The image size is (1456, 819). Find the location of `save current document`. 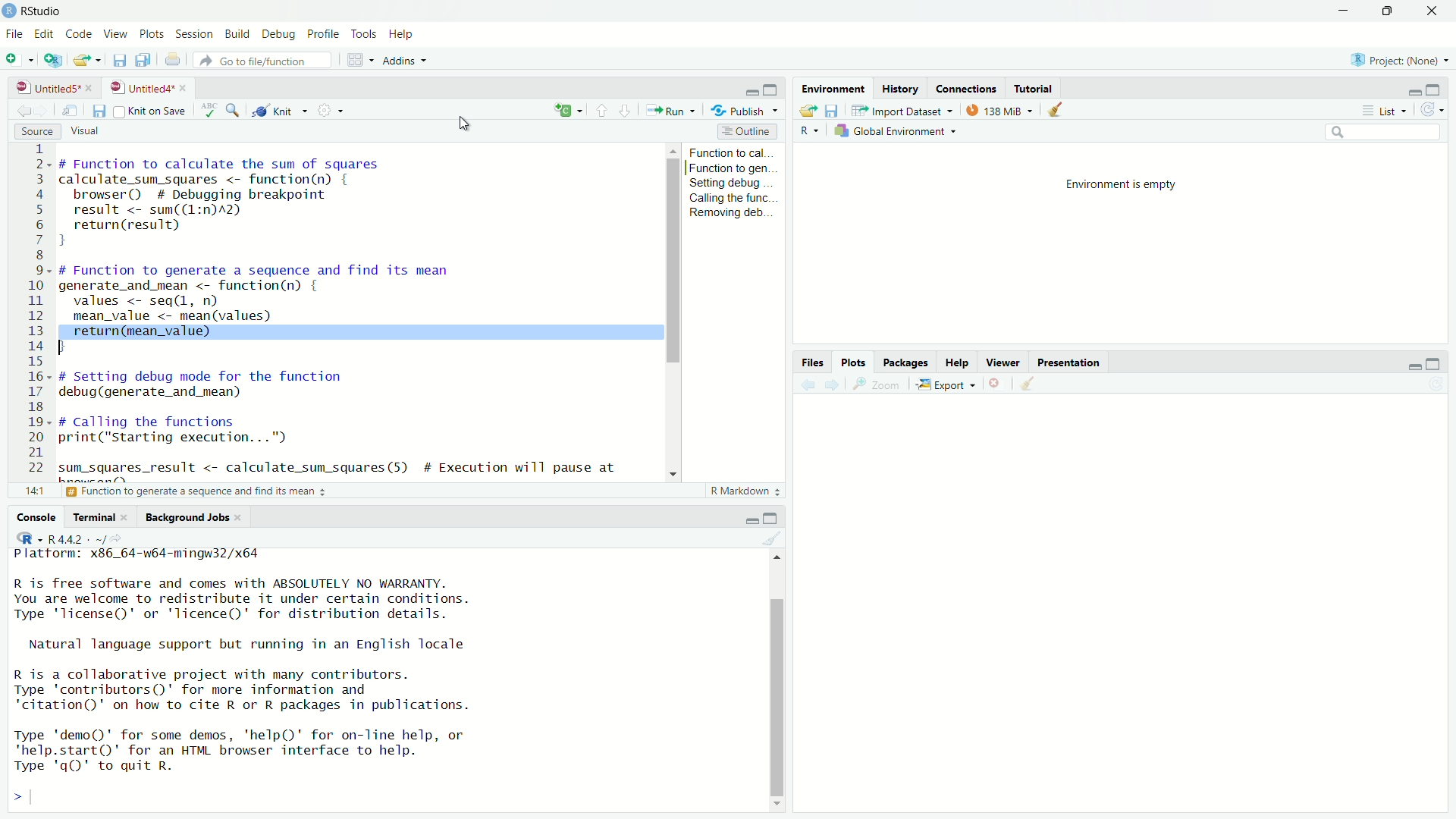

save current document is located at coordinates (118, 60).